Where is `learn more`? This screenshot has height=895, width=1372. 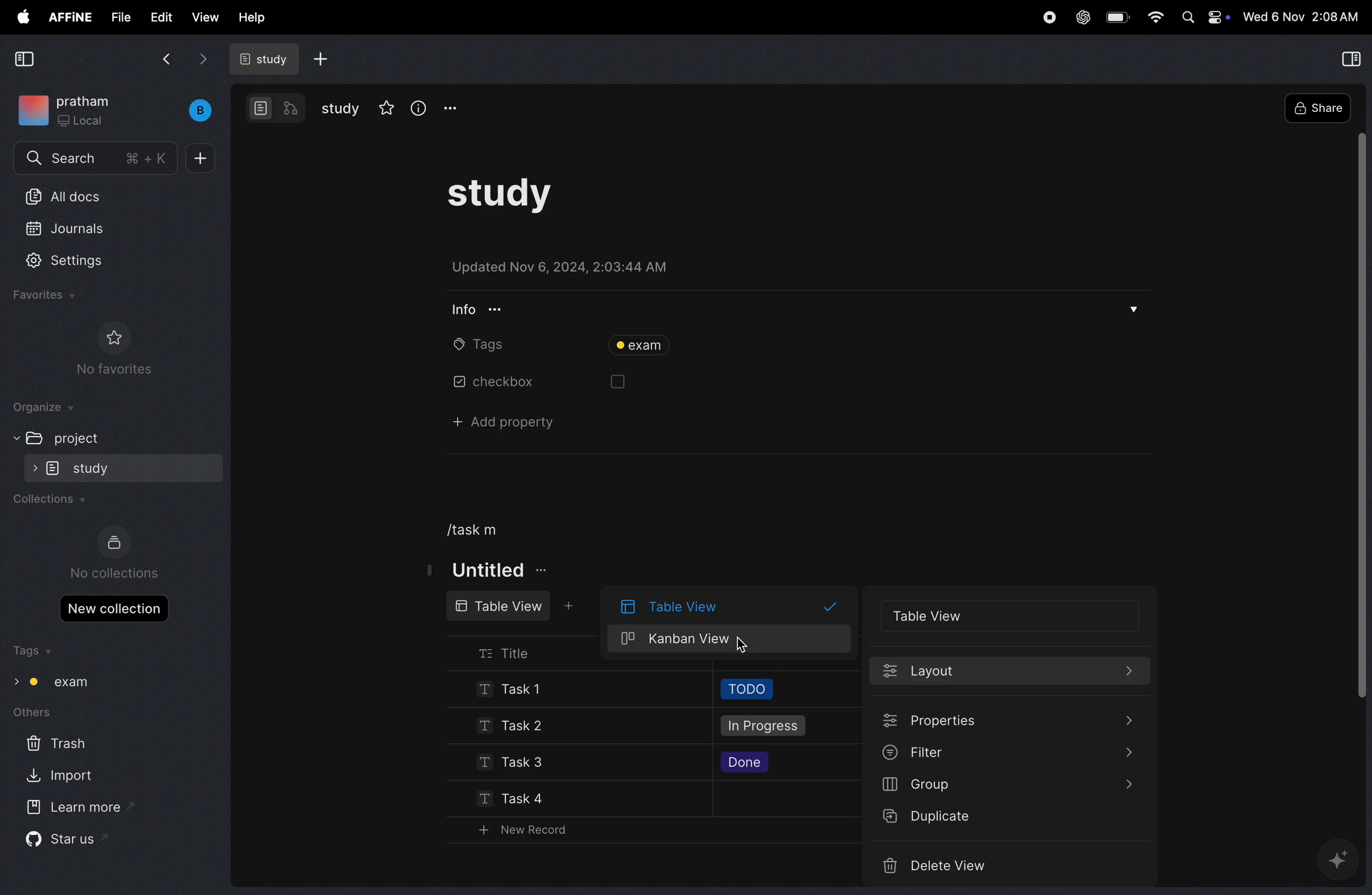 learn more is located at coordinates (77, 810).